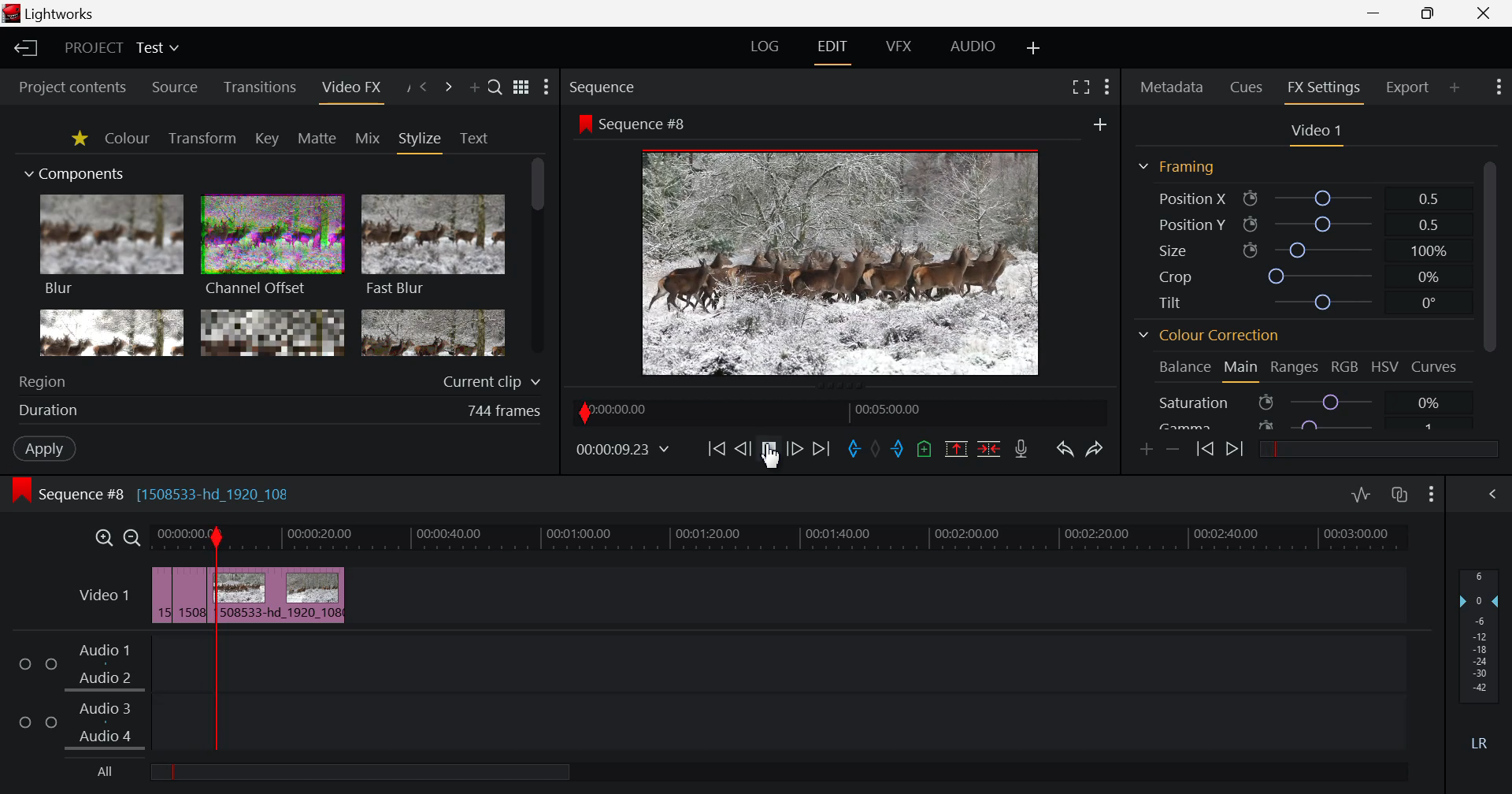 The width and height of the screenshot is (1512, 794). I want to click on Show Settings, so click(547, 87).